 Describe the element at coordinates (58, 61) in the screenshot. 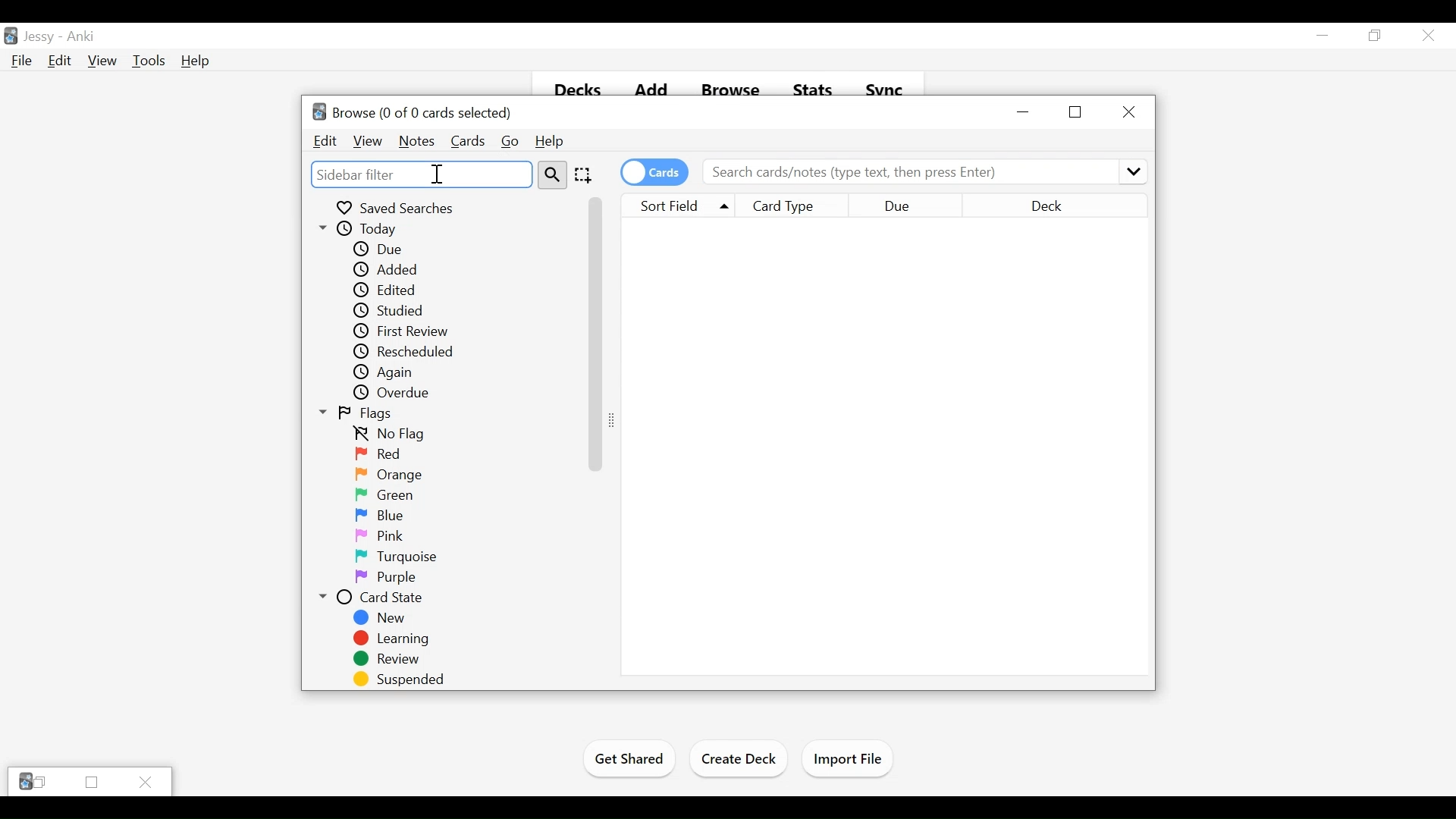

I see `Edit` at that location.